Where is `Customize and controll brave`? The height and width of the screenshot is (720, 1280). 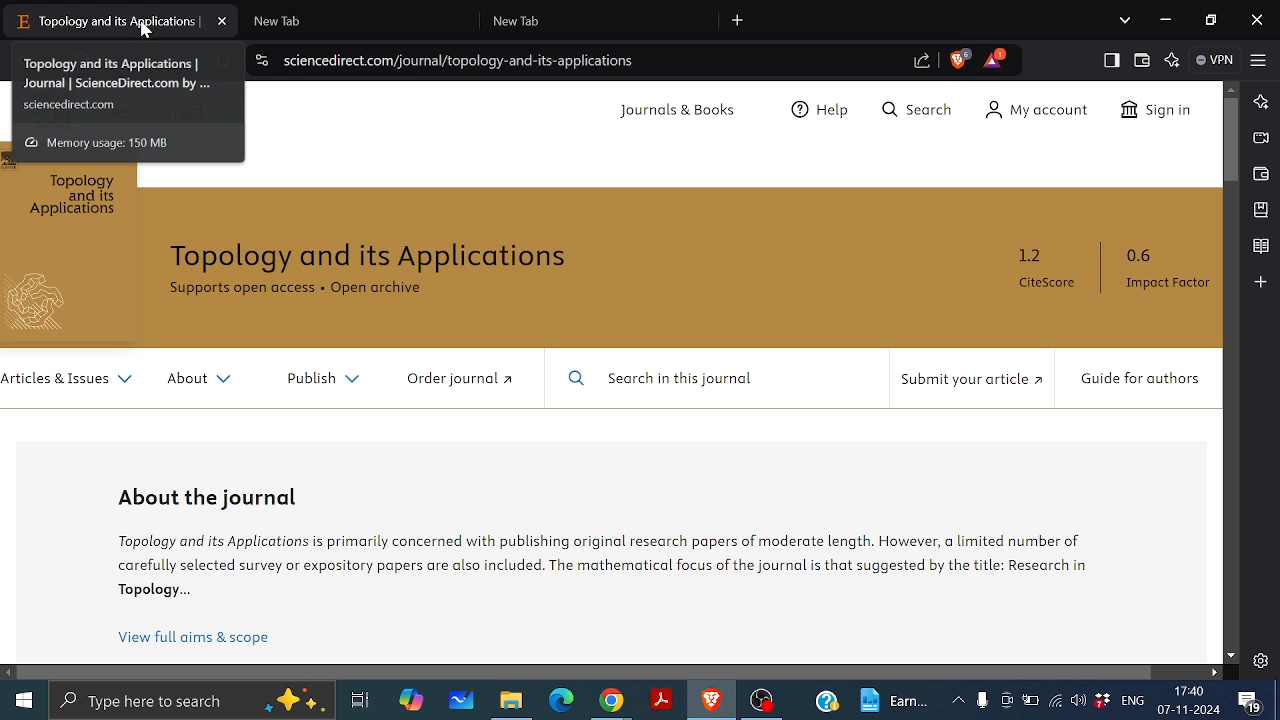
Customize and controll brave is located at coordinates (1259, 61).